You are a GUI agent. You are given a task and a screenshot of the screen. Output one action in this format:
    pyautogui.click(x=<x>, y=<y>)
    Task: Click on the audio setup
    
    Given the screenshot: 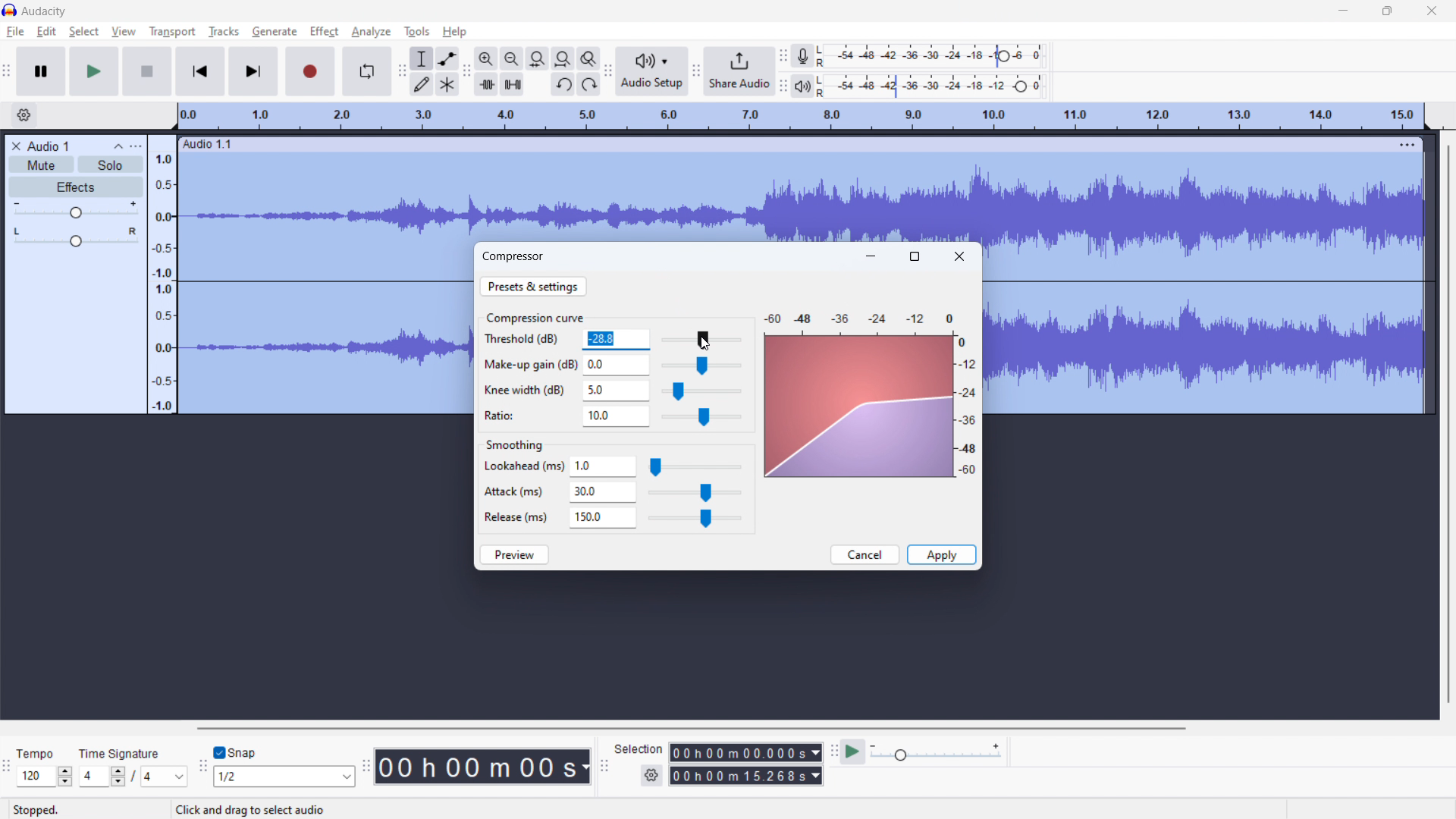 What is the action you would take?
    pyautogui.click(x=651, y=71)
    